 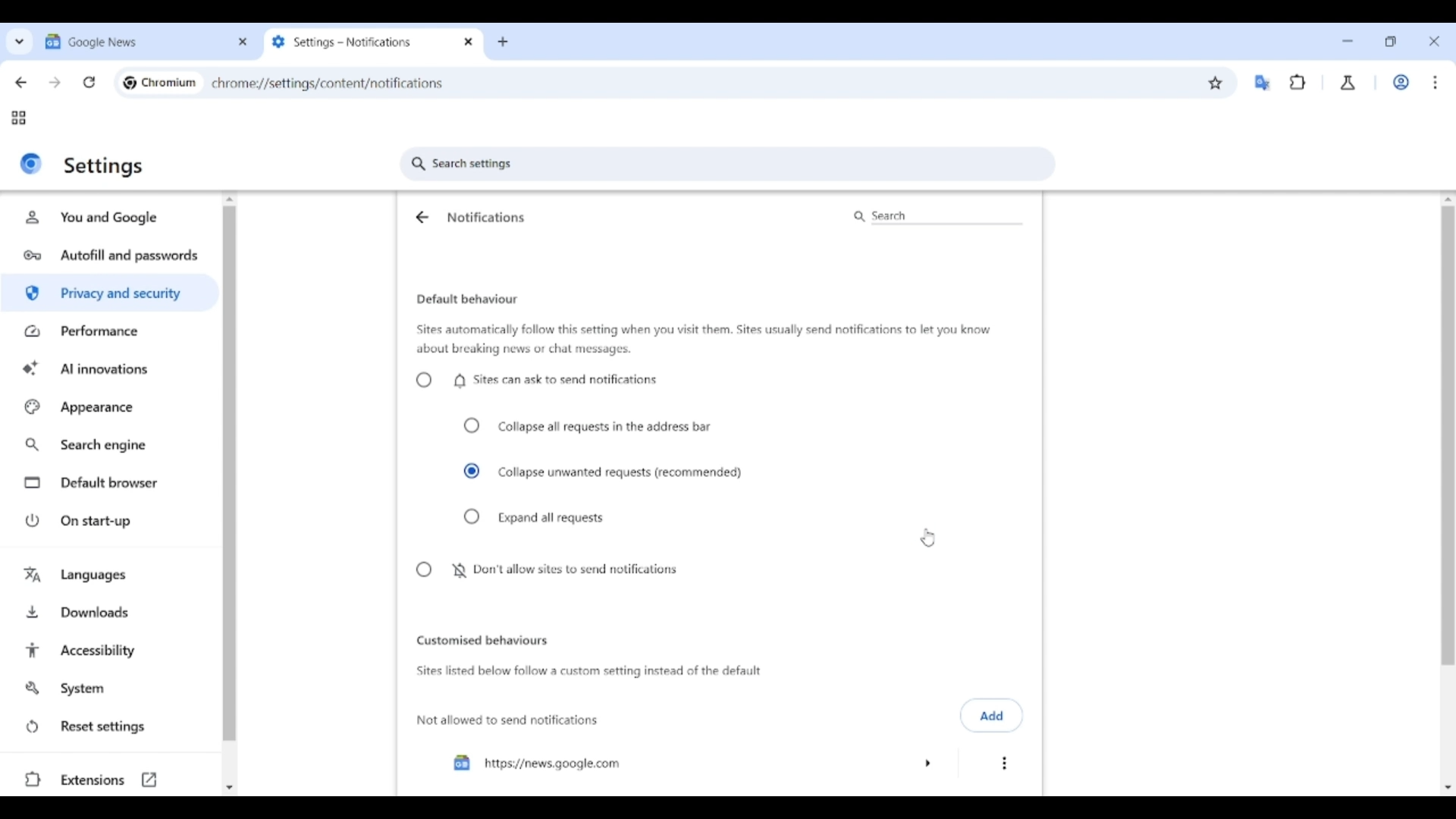 I want to click on Allow/Edit/Remove, so click(x=1004, y=764).